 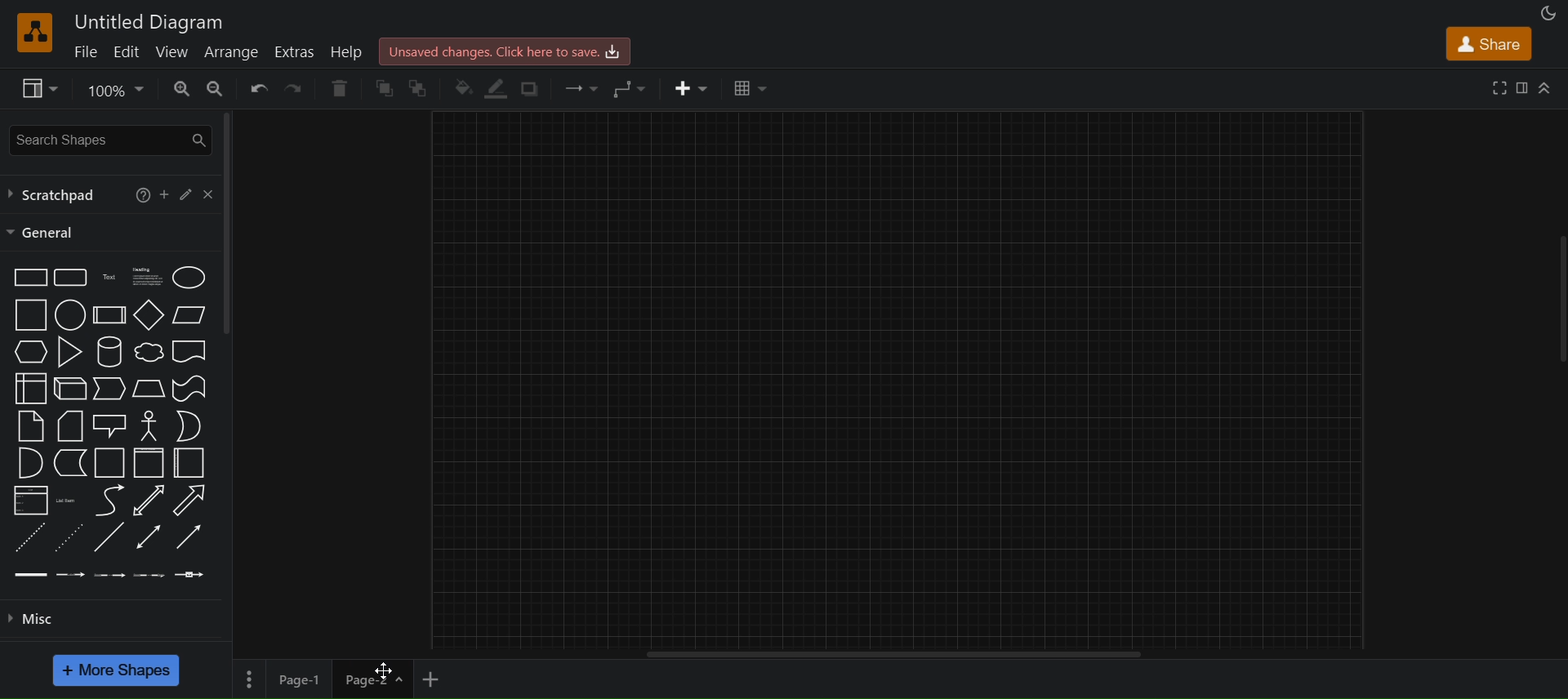 I want to click on callout, so click(x=109, y=425).